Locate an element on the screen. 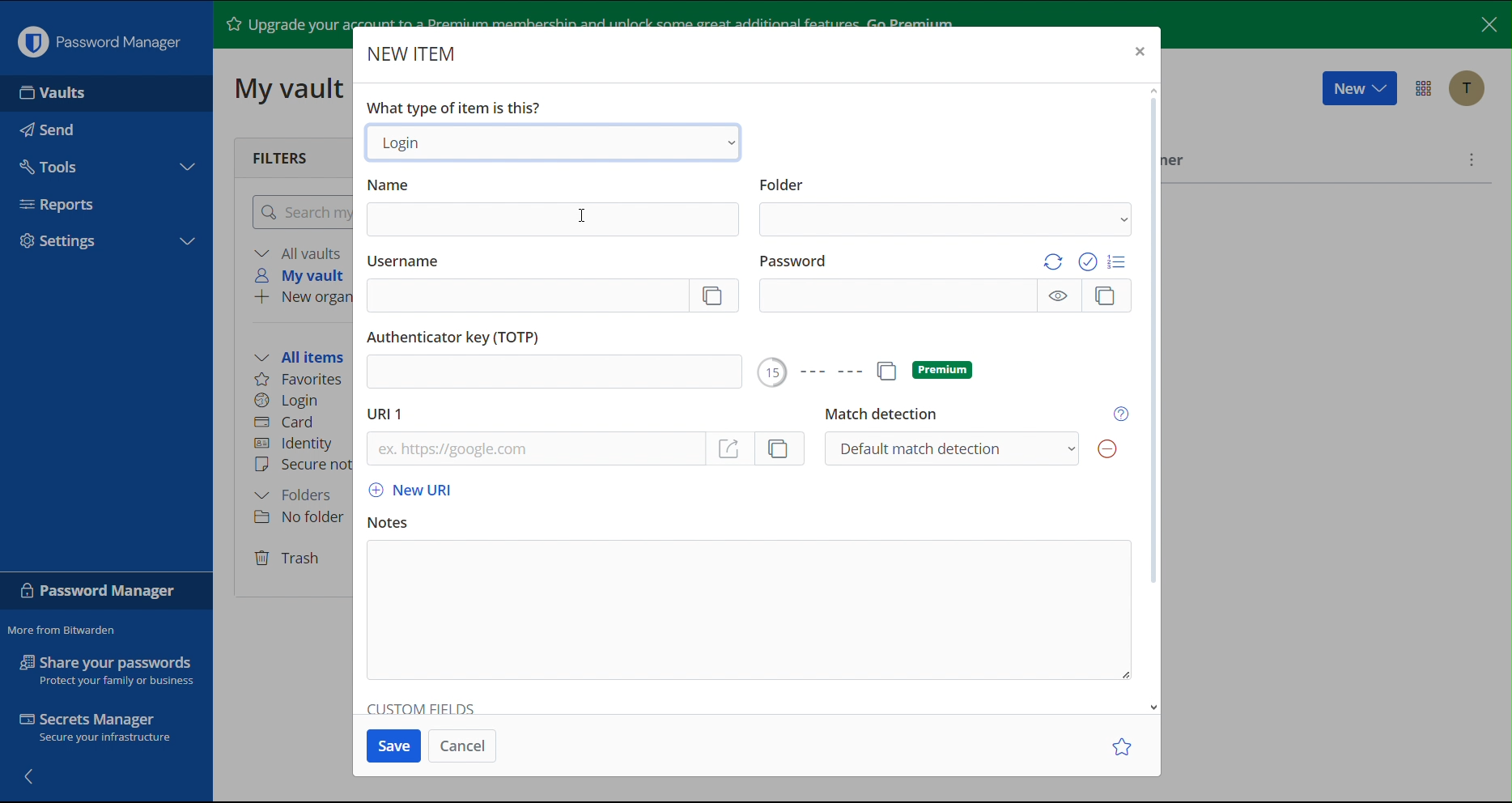 The width and height of the screenshot is (1512, 803). Identity is located at coordinates (291, 444).